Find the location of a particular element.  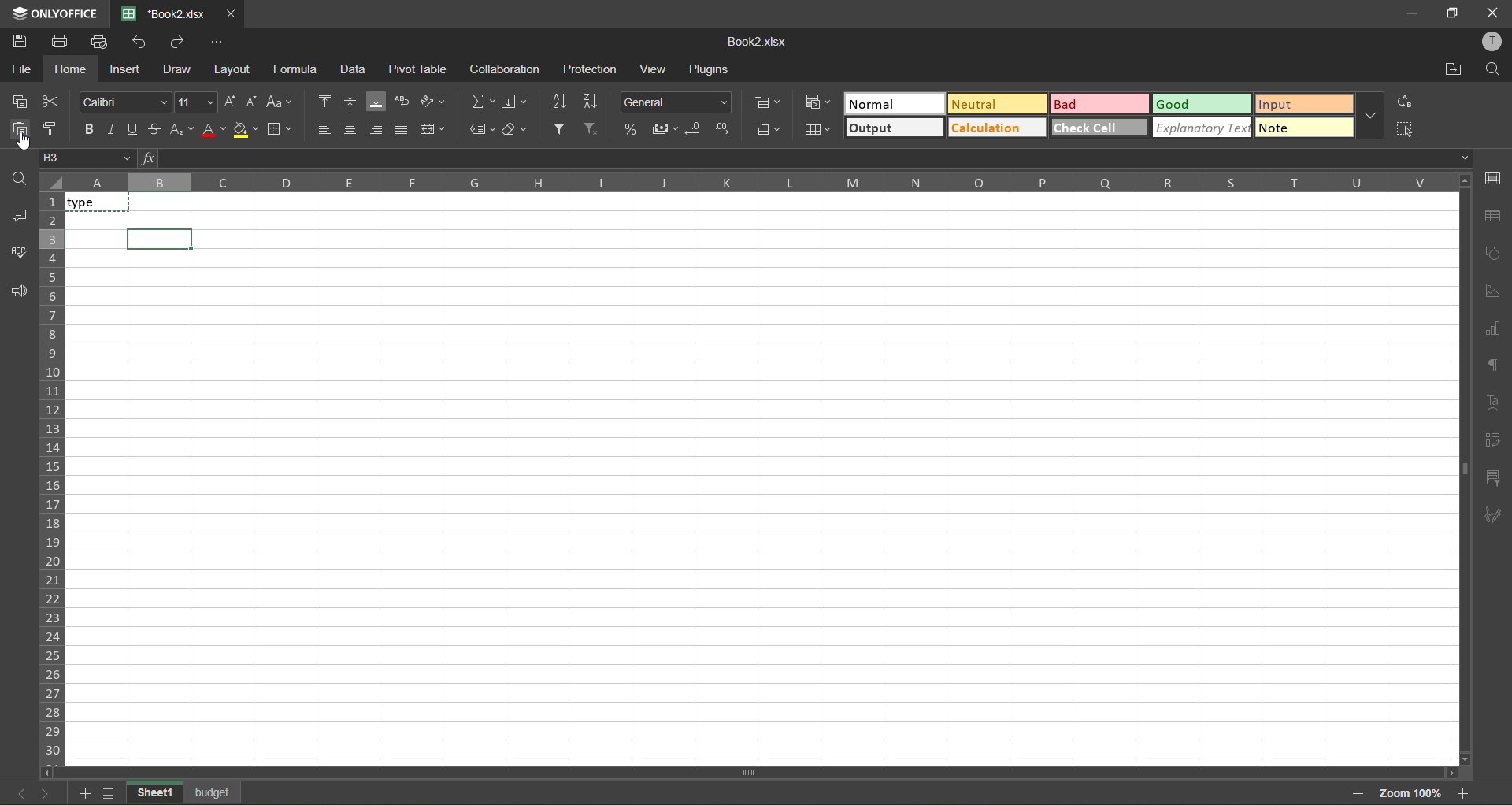

open location is located at coordinates (1450, 72).